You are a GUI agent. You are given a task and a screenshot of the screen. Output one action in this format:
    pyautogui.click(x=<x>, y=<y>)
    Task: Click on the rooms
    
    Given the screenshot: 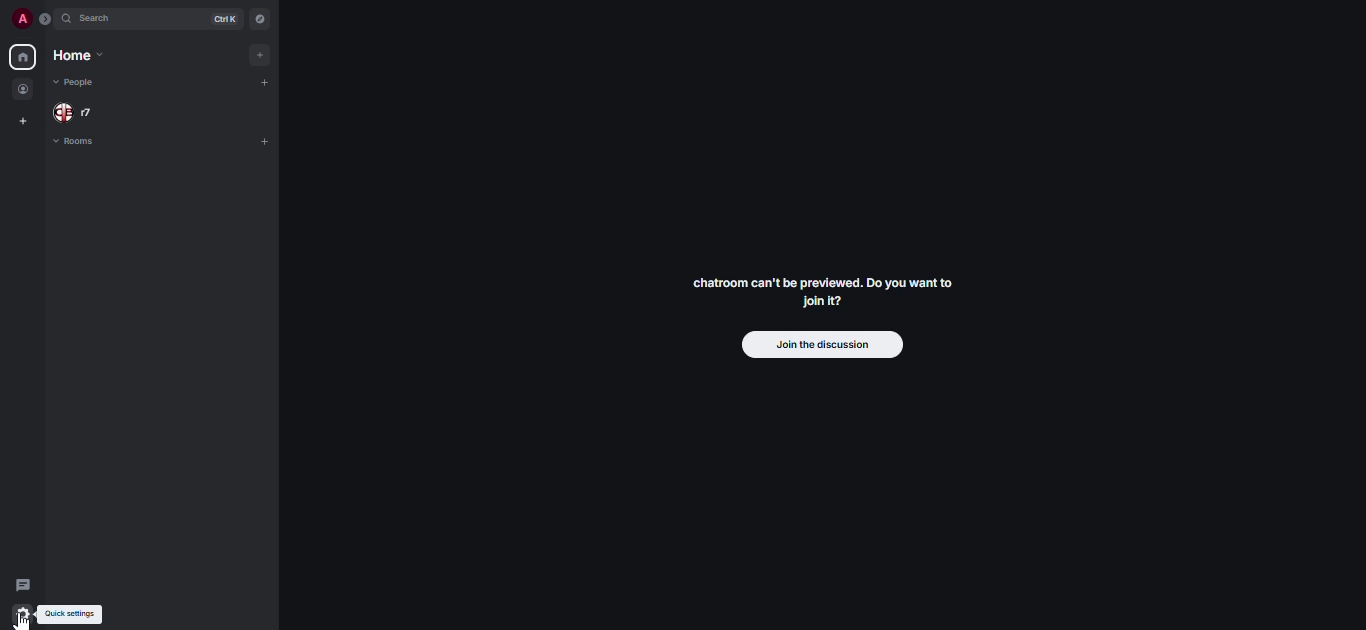 What is the action you would take?
    pyautogui.click(x=82, y=144)
    